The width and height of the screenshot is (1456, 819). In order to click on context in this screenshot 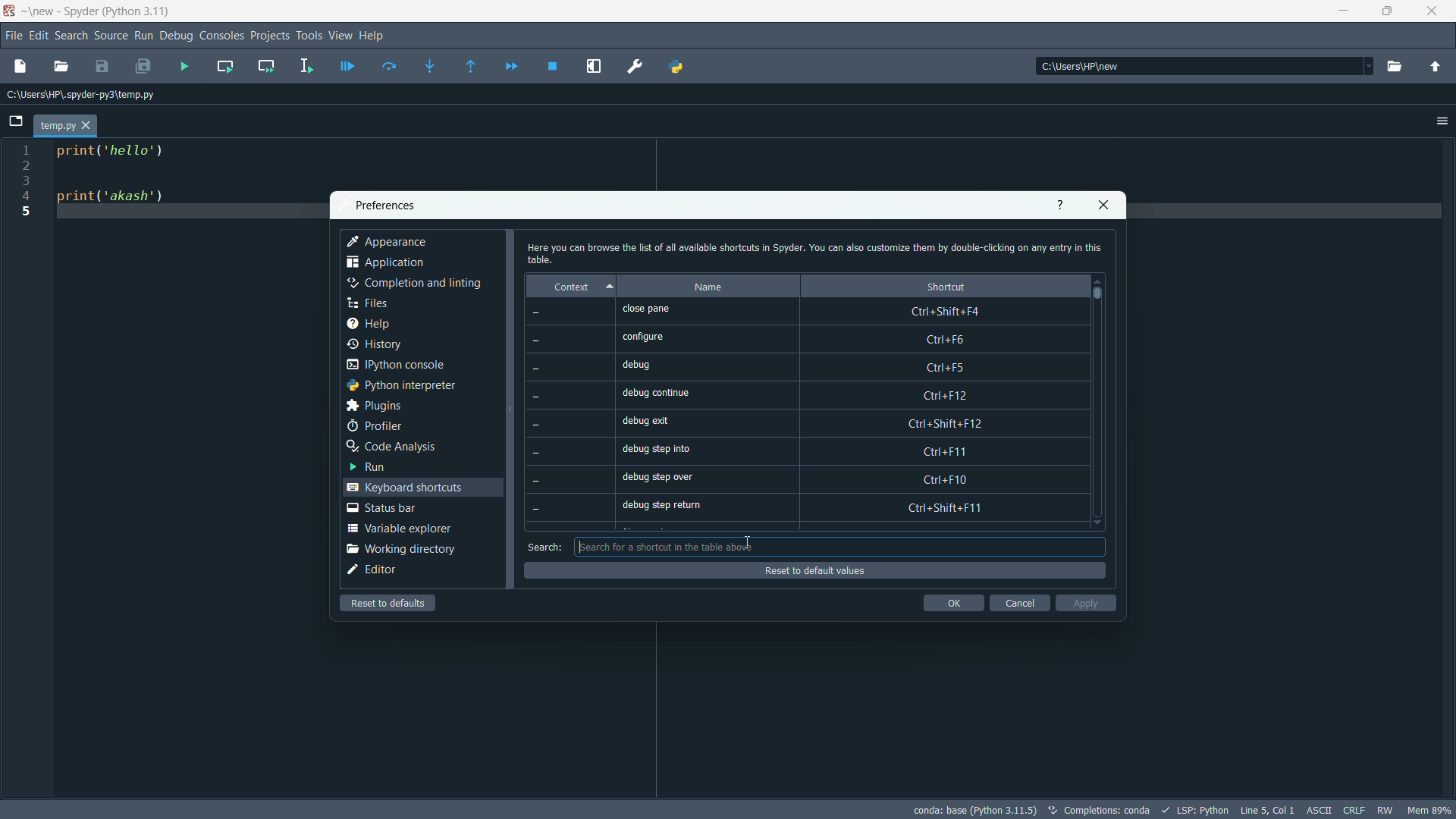, I will do `click(576, 287)`.